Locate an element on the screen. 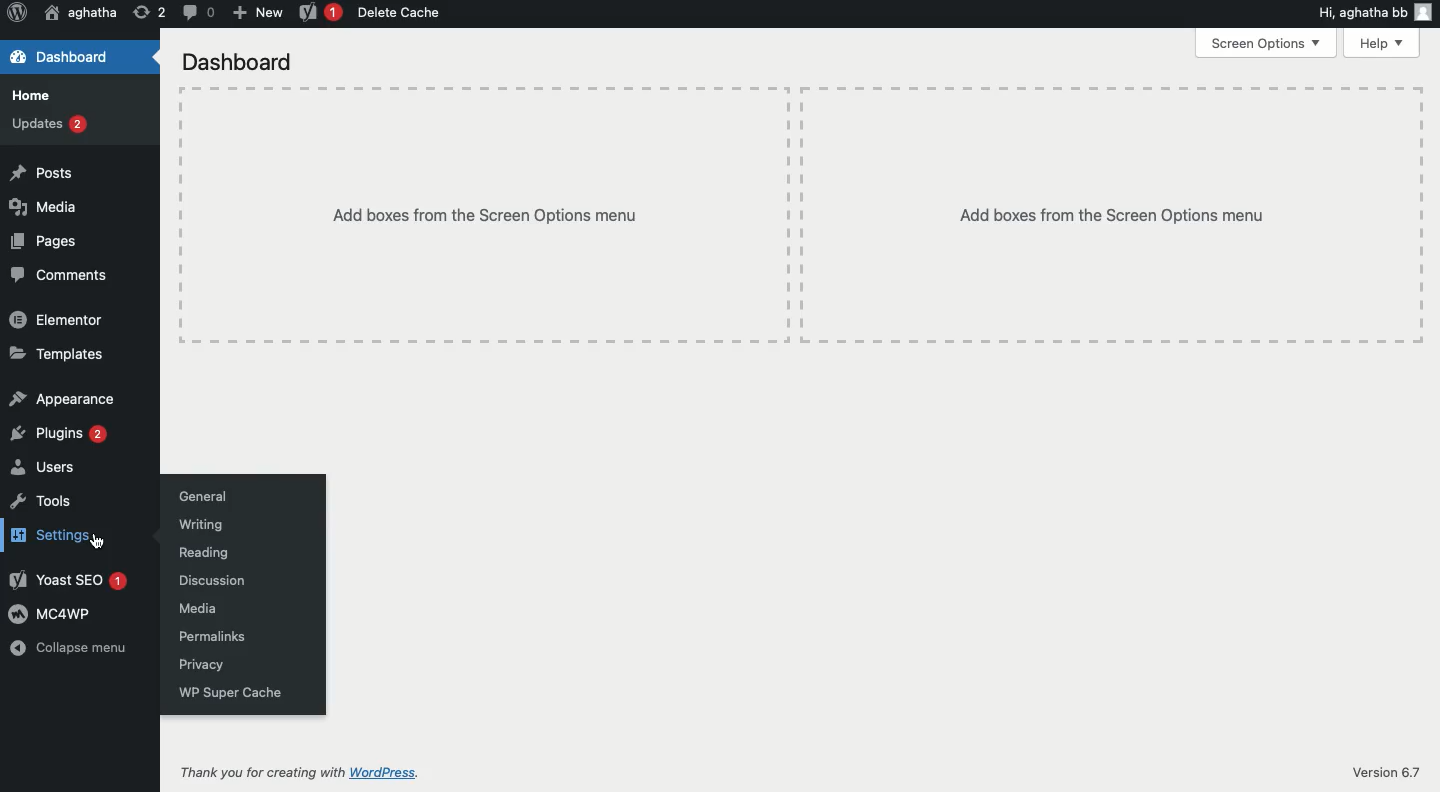 The height and width of the screenshot is (792, 1440). ‘Add boxes from the Screen Options menu is located at coordinates (481, 216).